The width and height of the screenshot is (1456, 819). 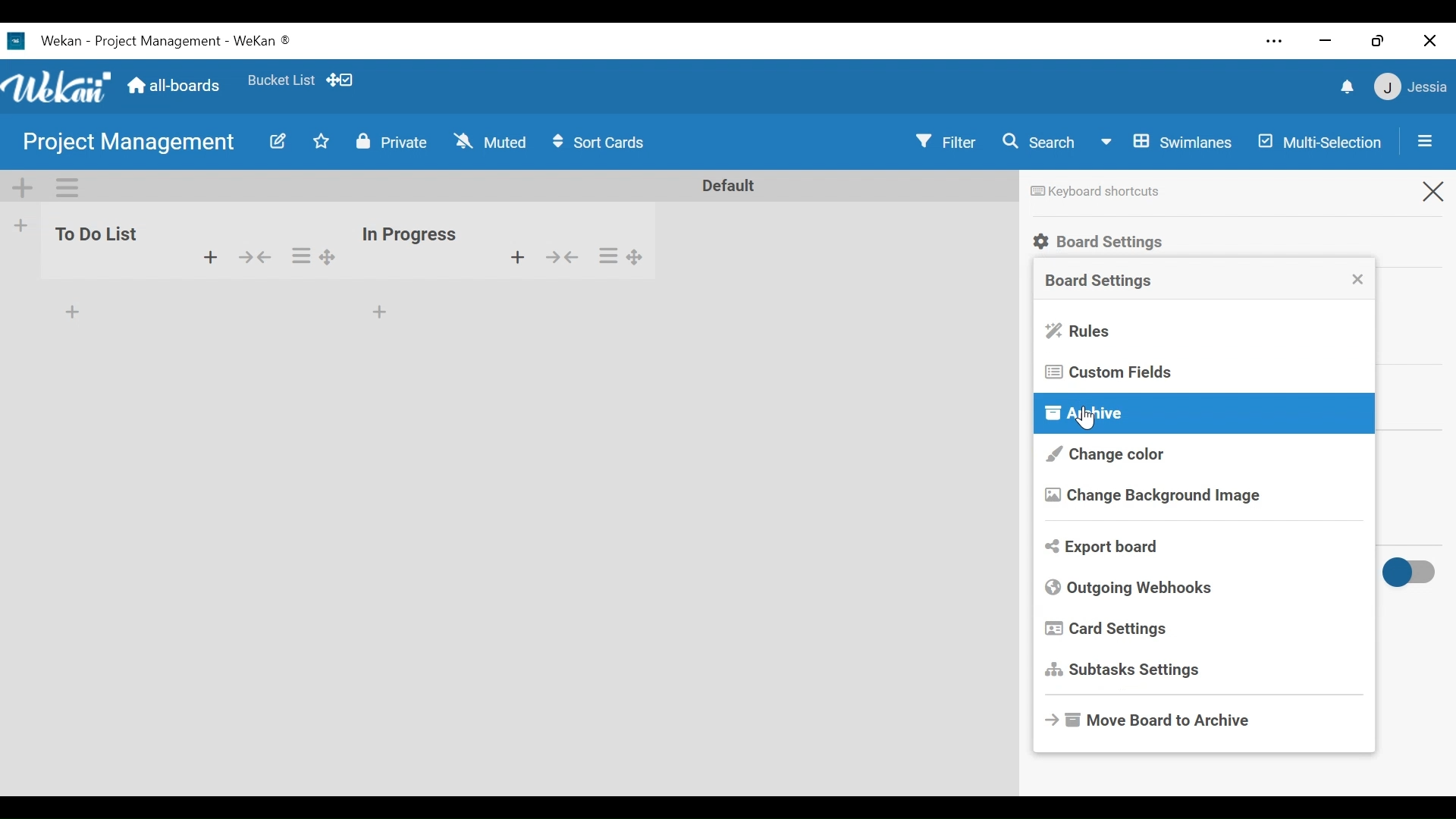 I want to click on add, so click(x=66, y=309).